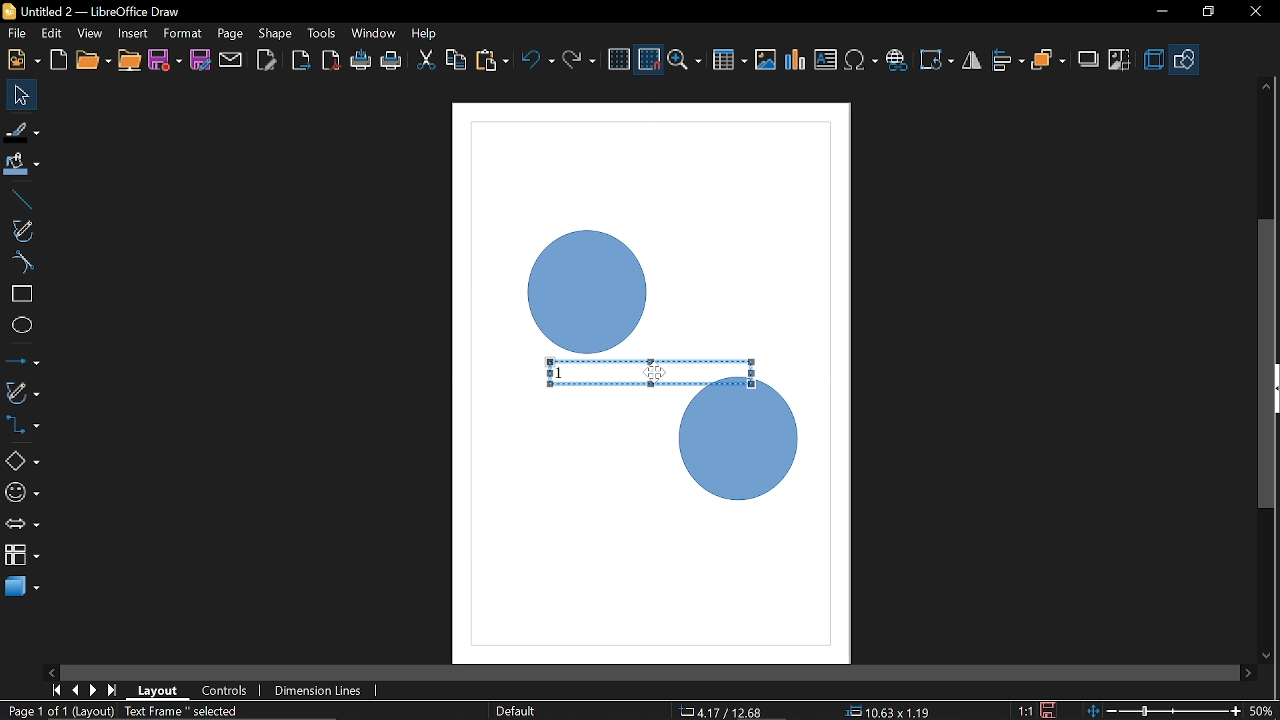  Describe the element at coordinates (232, 59) in the screenshot. I see `Attach` at that location.